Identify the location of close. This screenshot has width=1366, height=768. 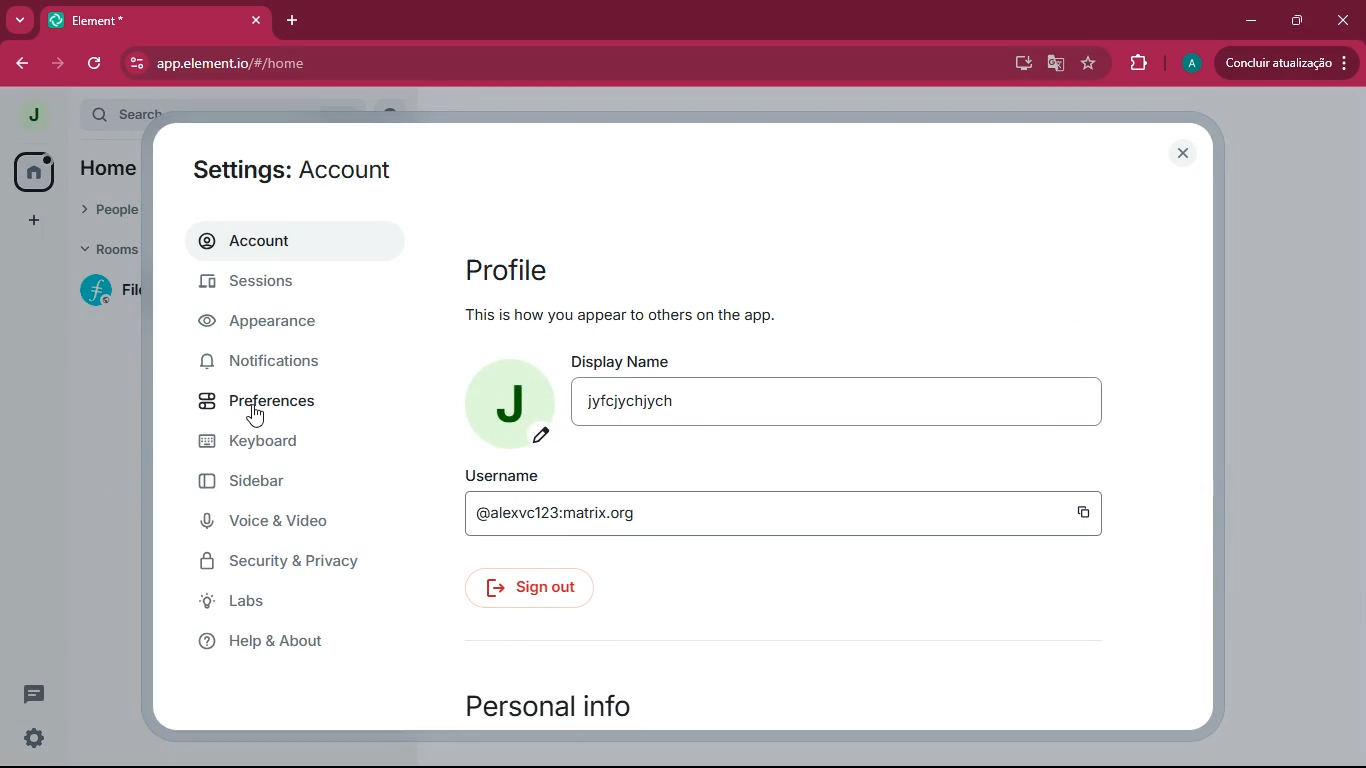
(1346, 20).